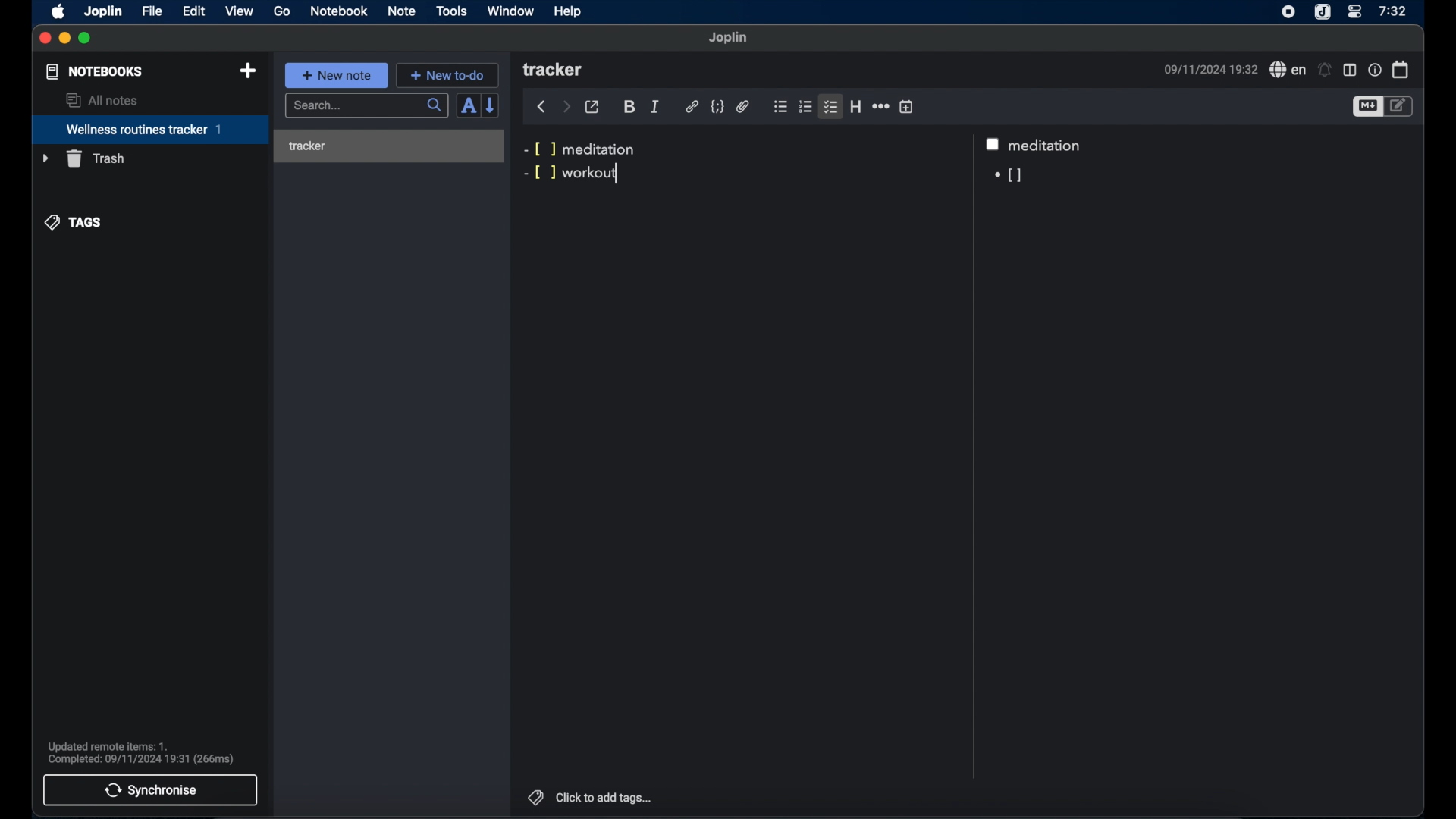  I want to click on screen recorder, so click(1288, 11).